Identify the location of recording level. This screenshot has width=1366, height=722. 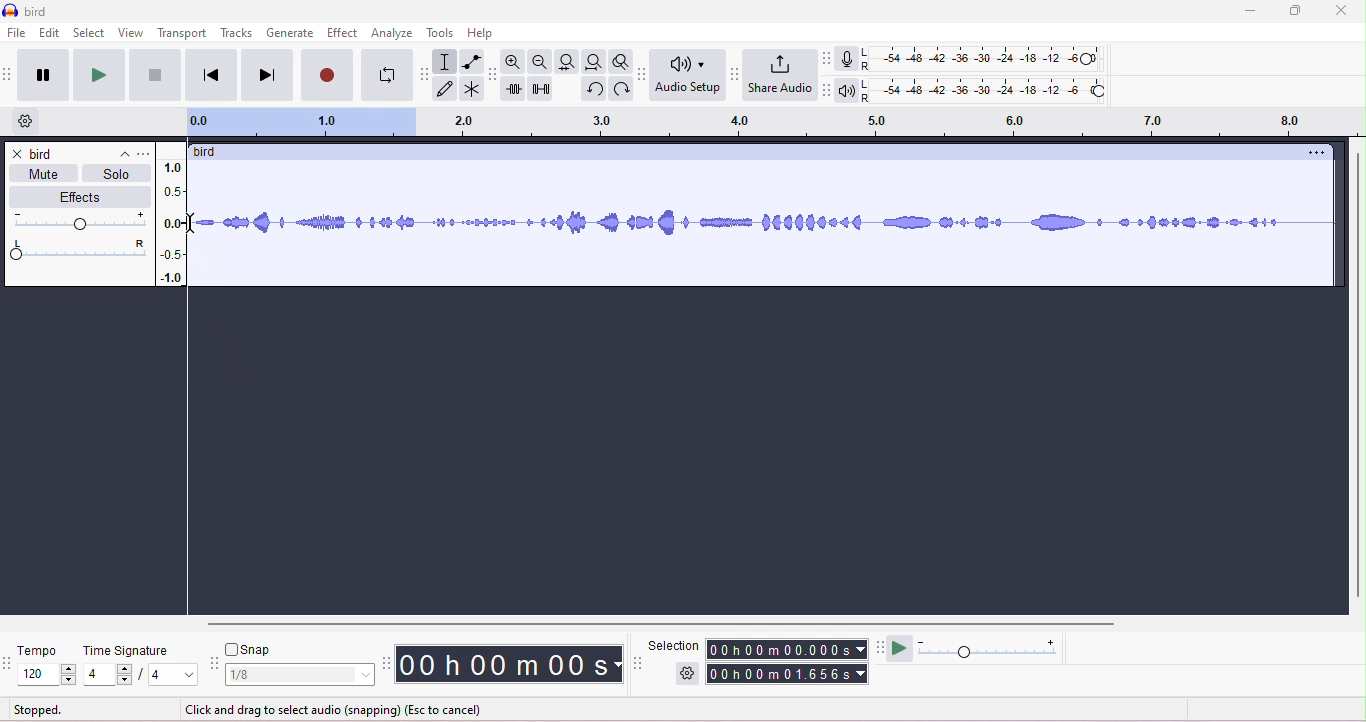
(997, 59).